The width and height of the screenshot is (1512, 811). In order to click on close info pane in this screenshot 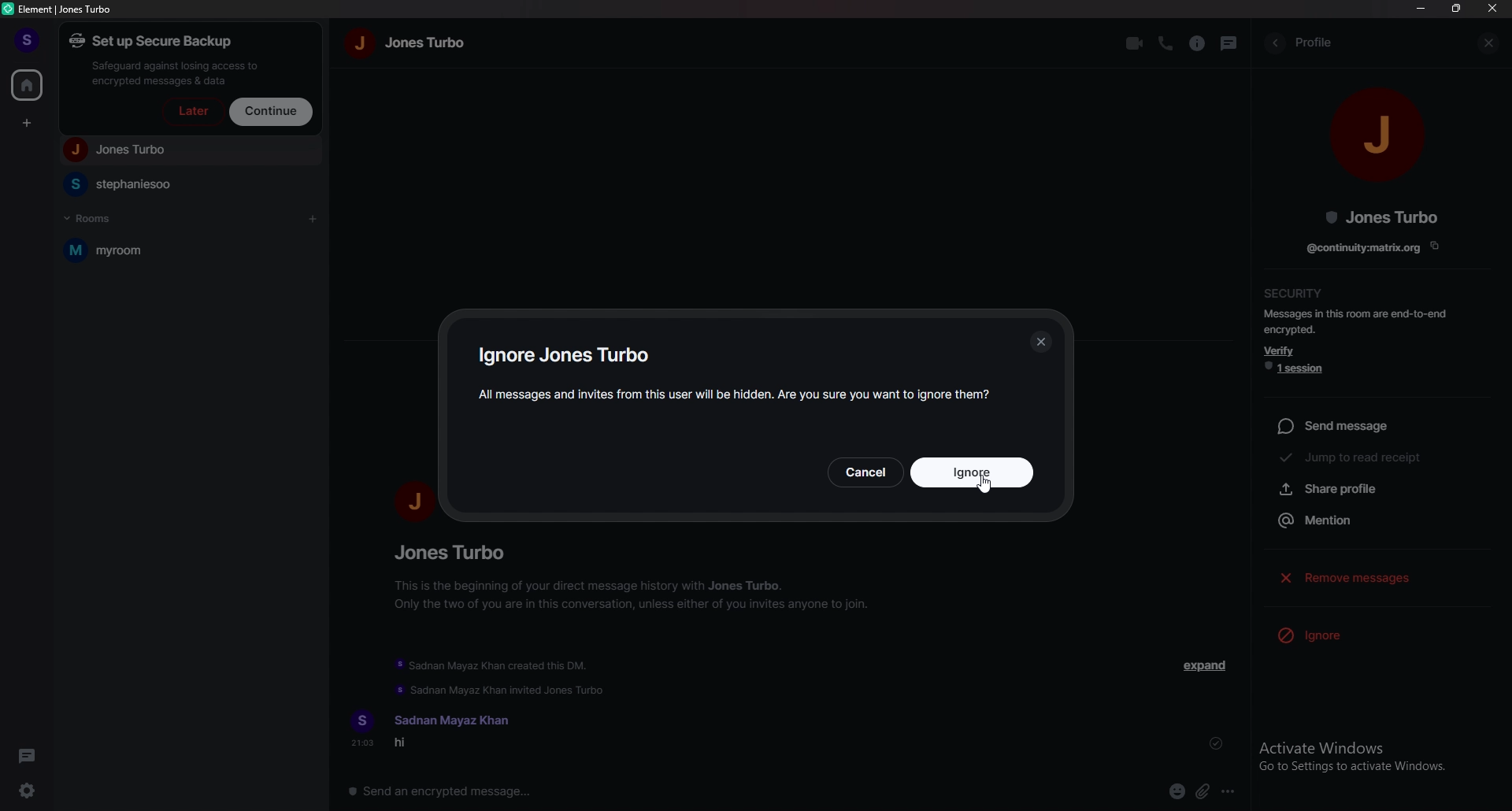, I will do `click(1491, 44)`.